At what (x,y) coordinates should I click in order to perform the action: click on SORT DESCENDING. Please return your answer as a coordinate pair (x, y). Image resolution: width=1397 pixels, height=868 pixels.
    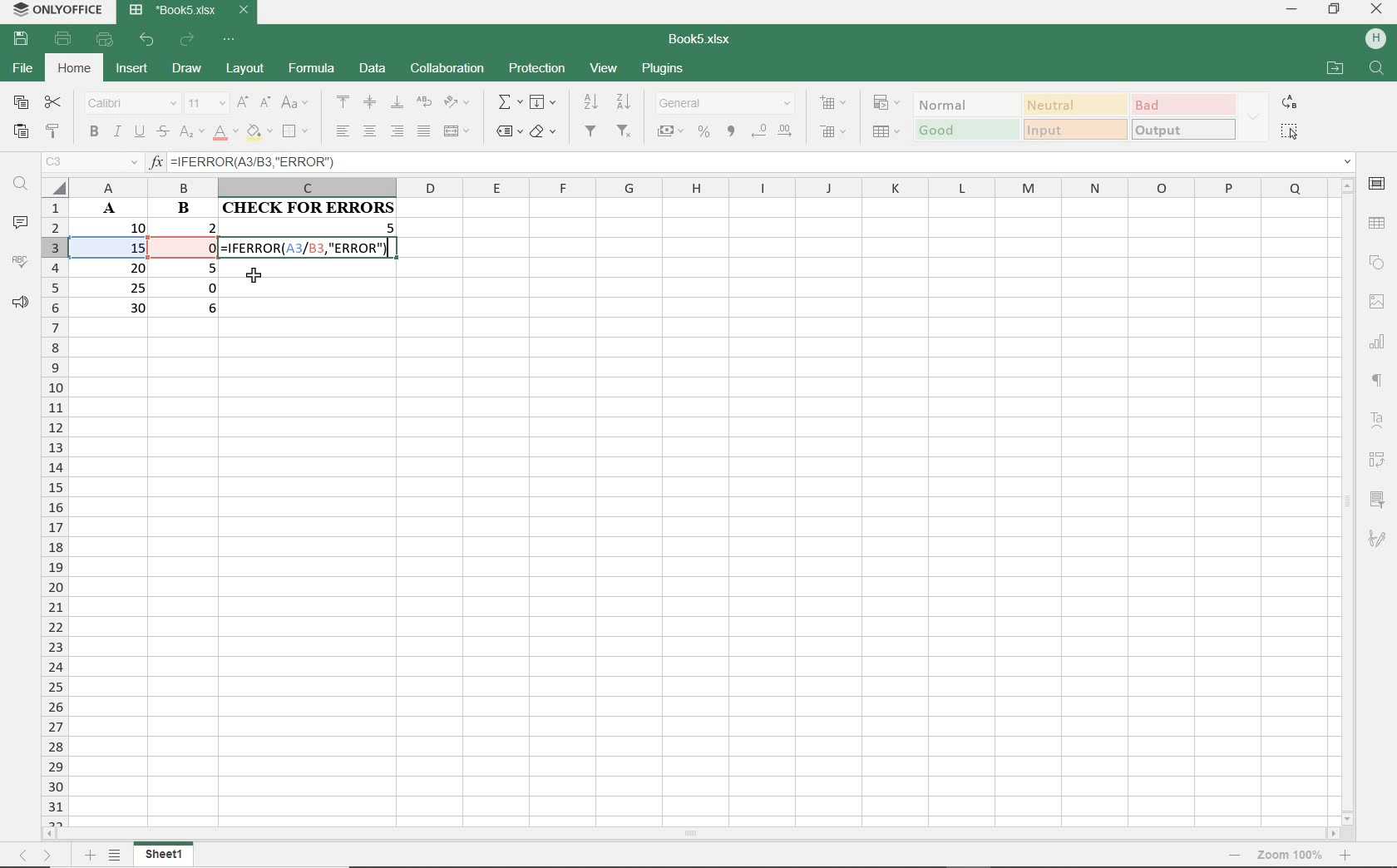
    Looking at the image, I should click on (590, 102).